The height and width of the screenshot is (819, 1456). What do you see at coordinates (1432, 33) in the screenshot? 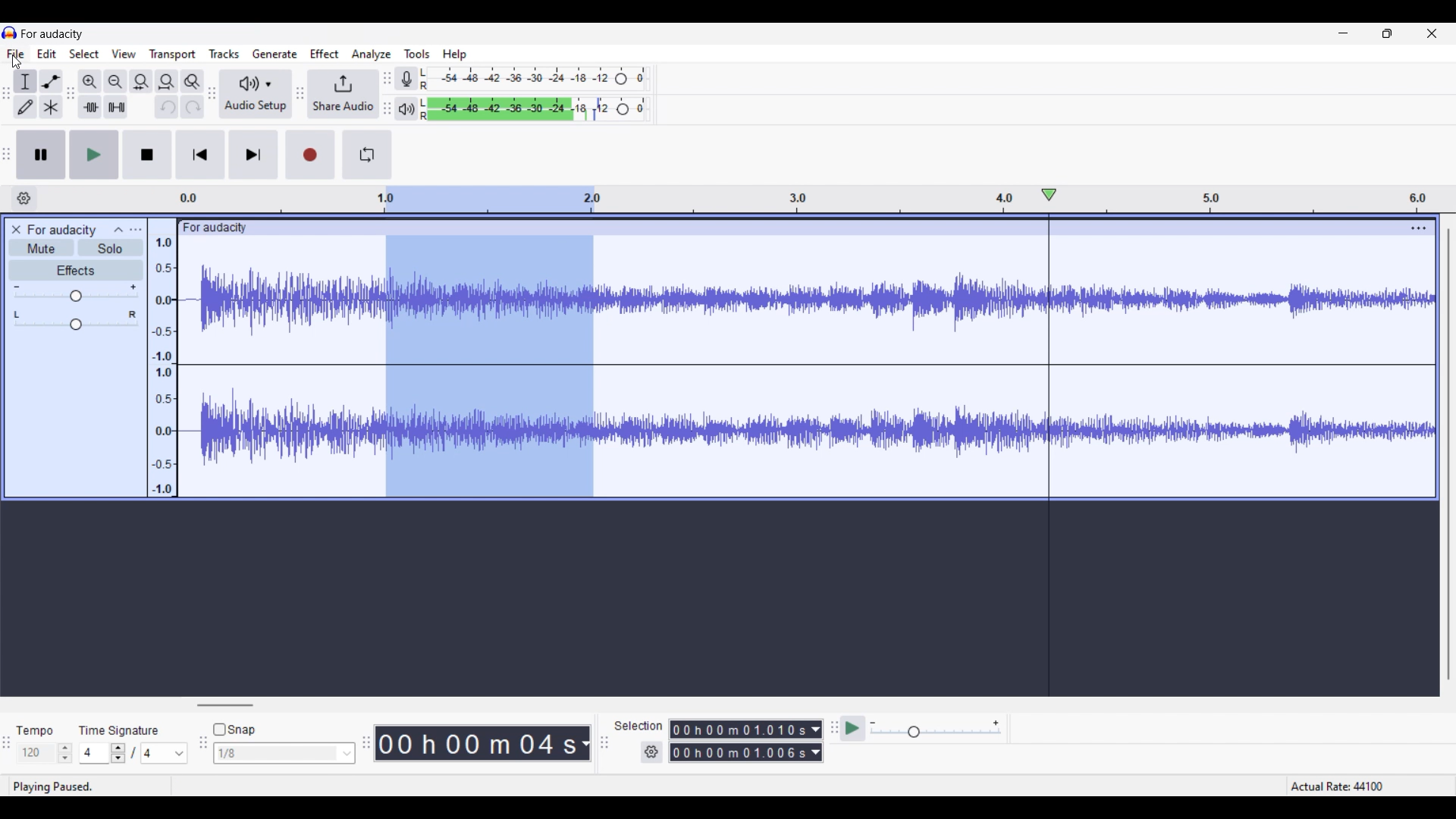
I see `Close interface` at bounding box center [1432, 33].